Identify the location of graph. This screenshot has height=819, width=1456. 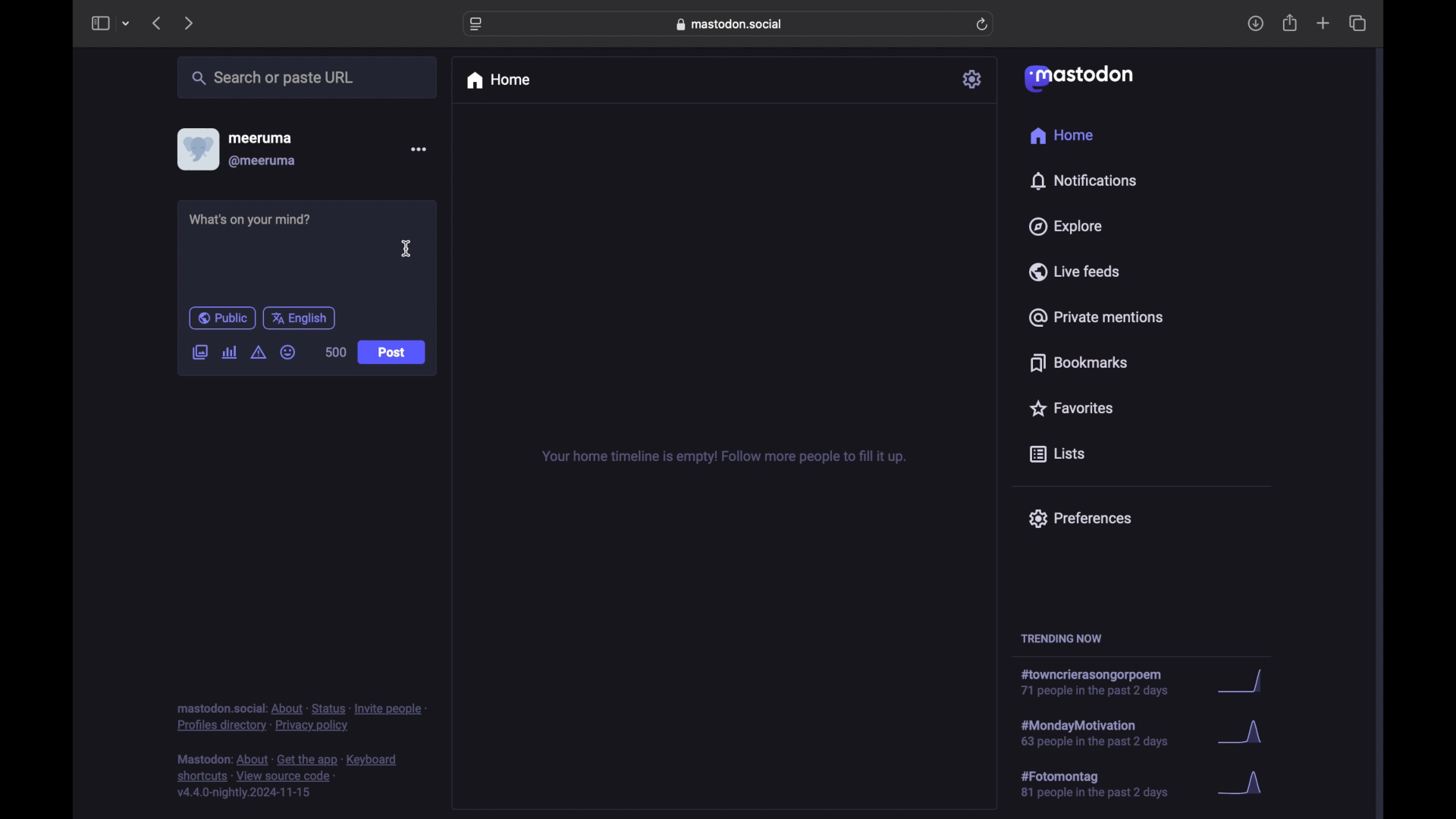
(1244, 734).